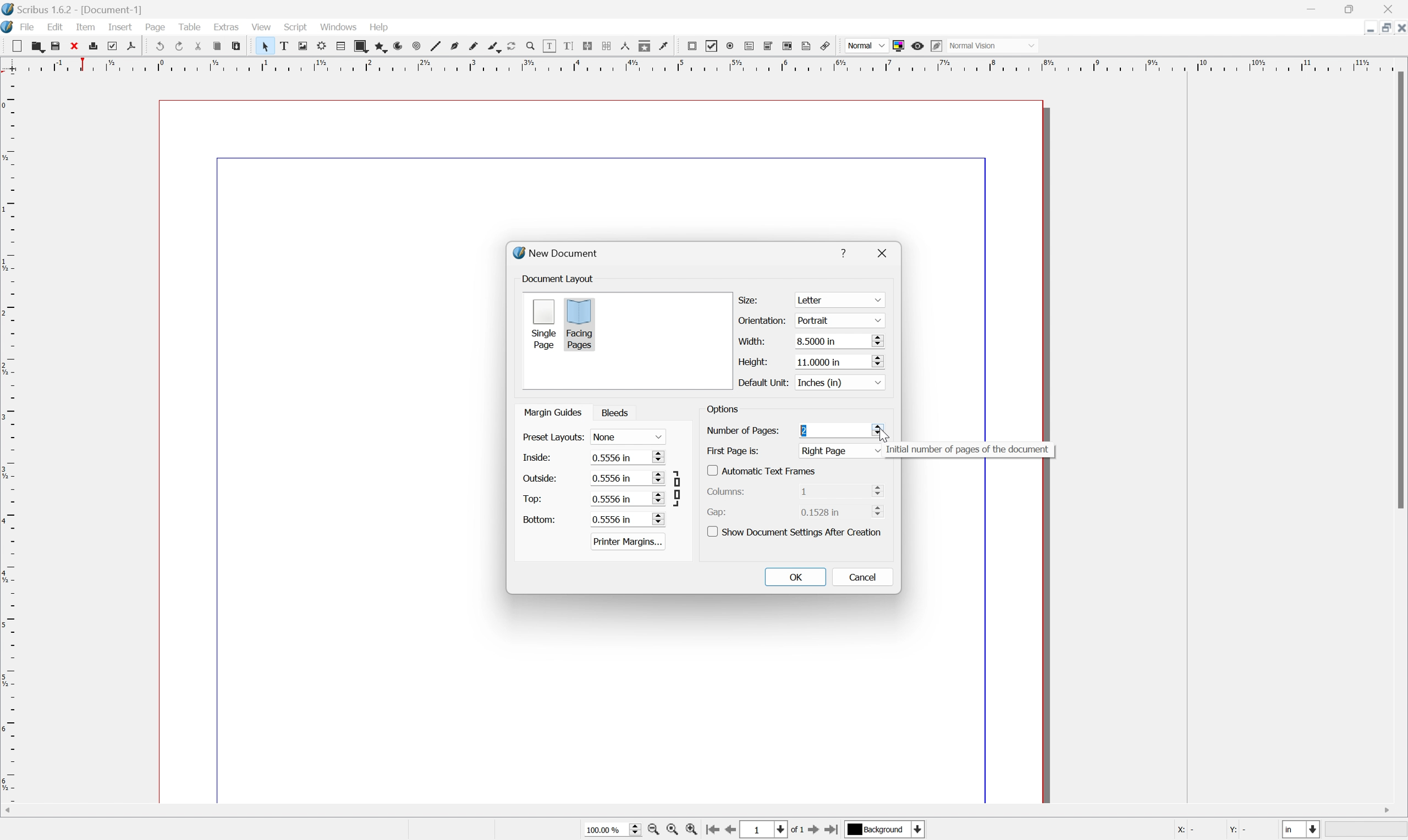  I want to click on right:, so click(536, 477).